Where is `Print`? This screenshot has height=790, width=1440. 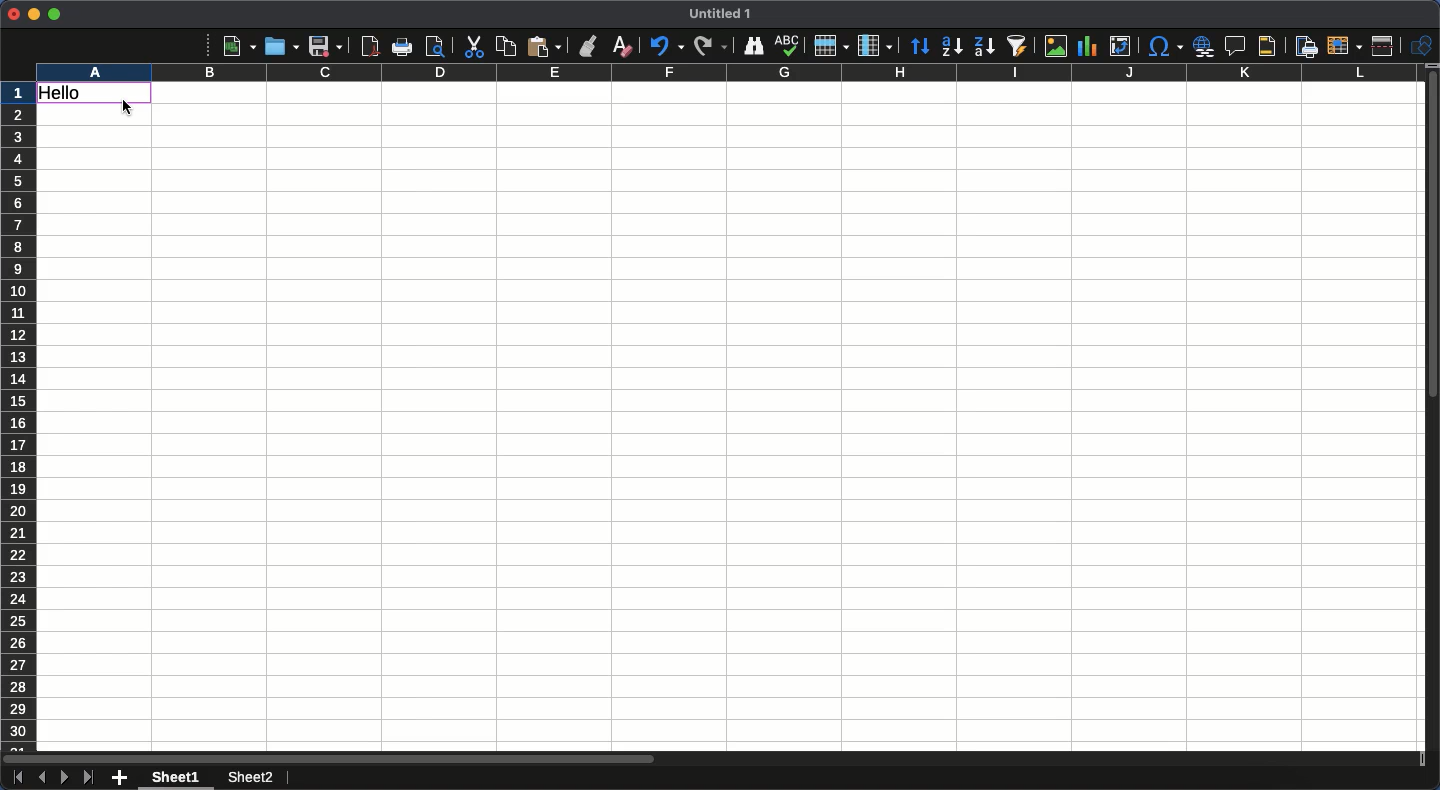
Print is located at coordinates (404, 47).